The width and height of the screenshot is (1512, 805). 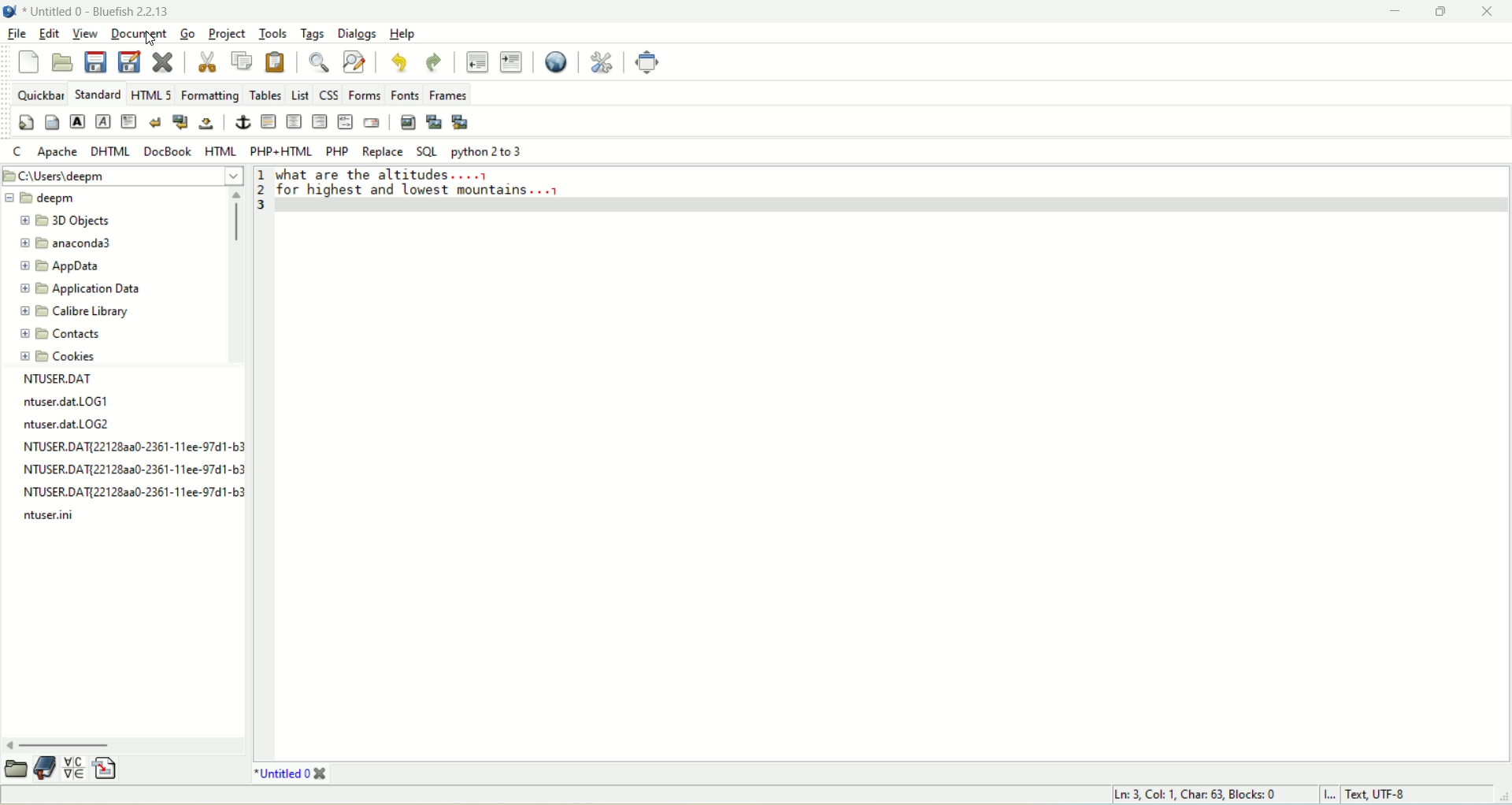 What do you see at coordinates (41, 94) in the screenshot?
I see `quickbar` at bounding box center [41, 94].